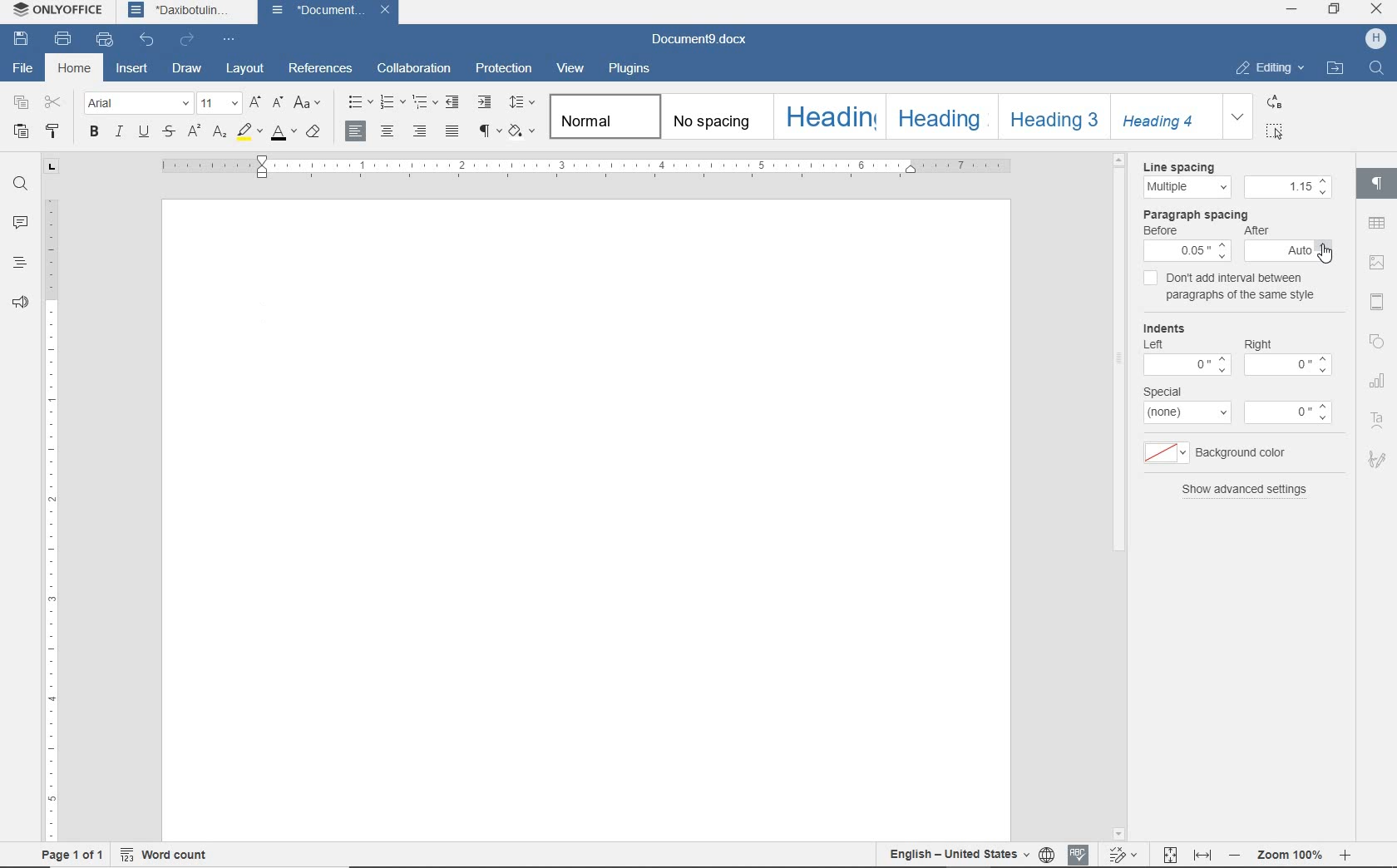 This screenshot has height=868, width=1397. I want to click on header and footer, so click(1377, 301).